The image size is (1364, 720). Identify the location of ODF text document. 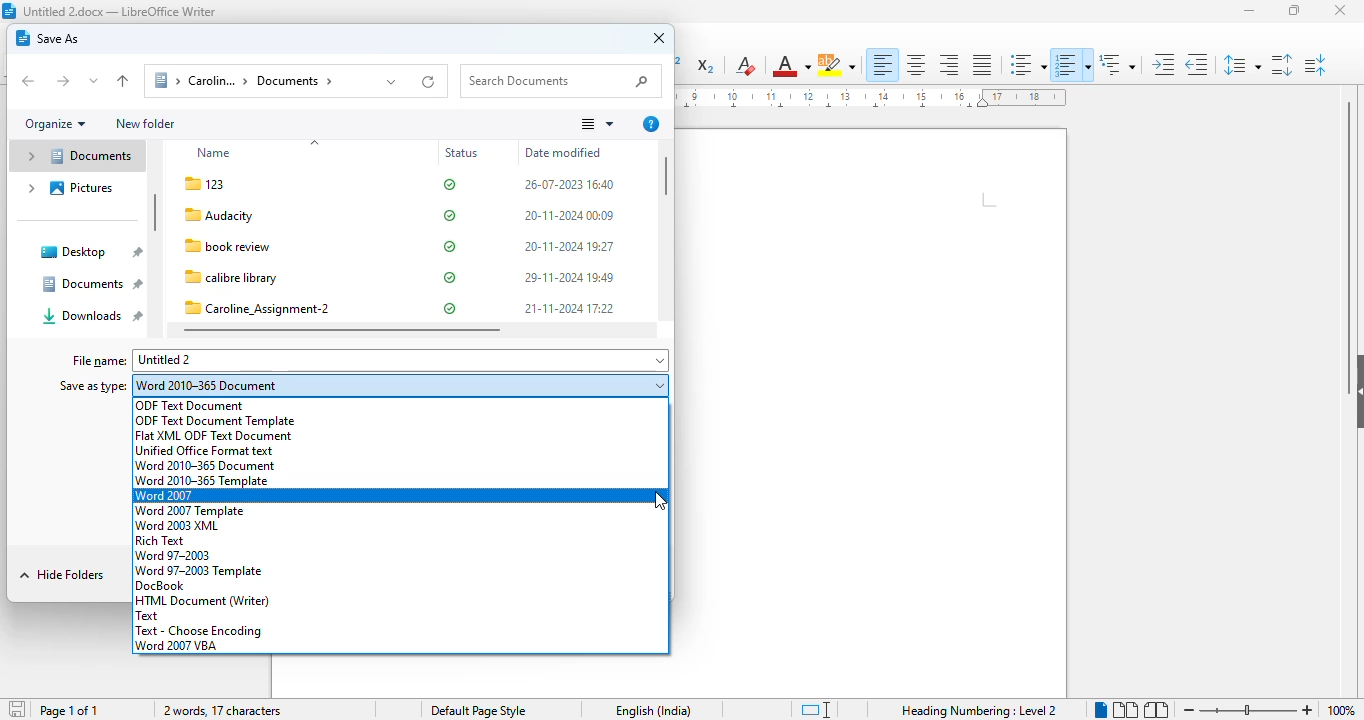
(191, 405).